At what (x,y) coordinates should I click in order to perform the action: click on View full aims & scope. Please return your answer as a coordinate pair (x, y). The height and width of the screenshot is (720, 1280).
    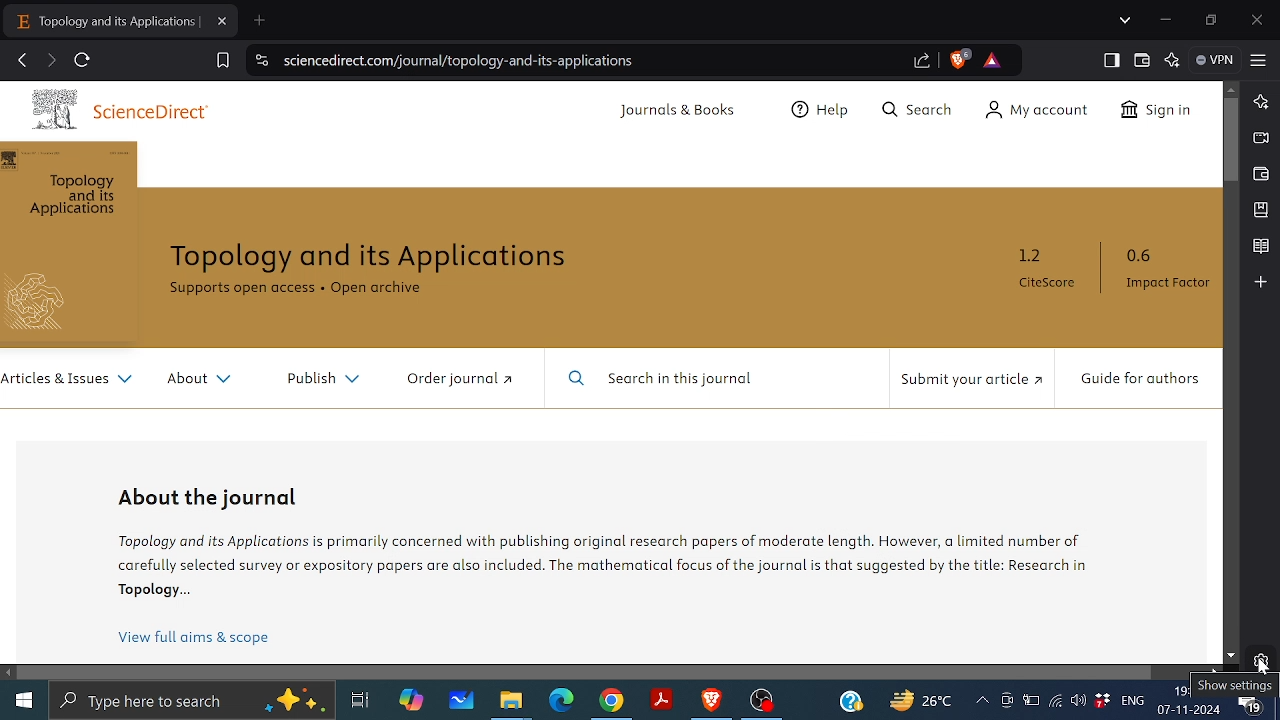
    Looking at the image, I should click on (199, 636).